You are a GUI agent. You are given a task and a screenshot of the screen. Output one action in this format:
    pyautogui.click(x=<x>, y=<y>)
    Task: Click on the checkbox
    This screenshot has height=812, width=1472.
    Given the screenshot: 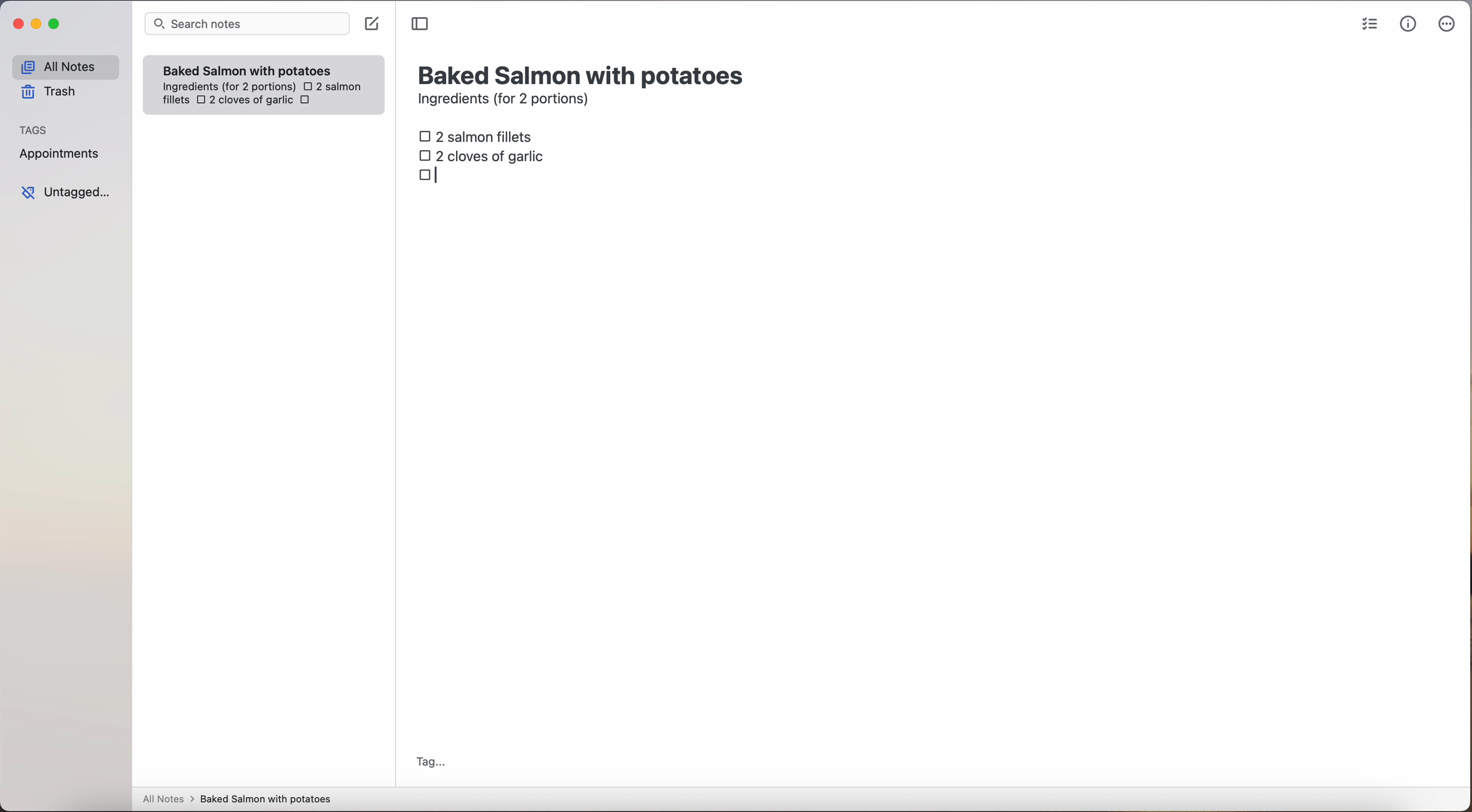 What is the action you would take?
    pyautogui.click(x=430, y=177)
    